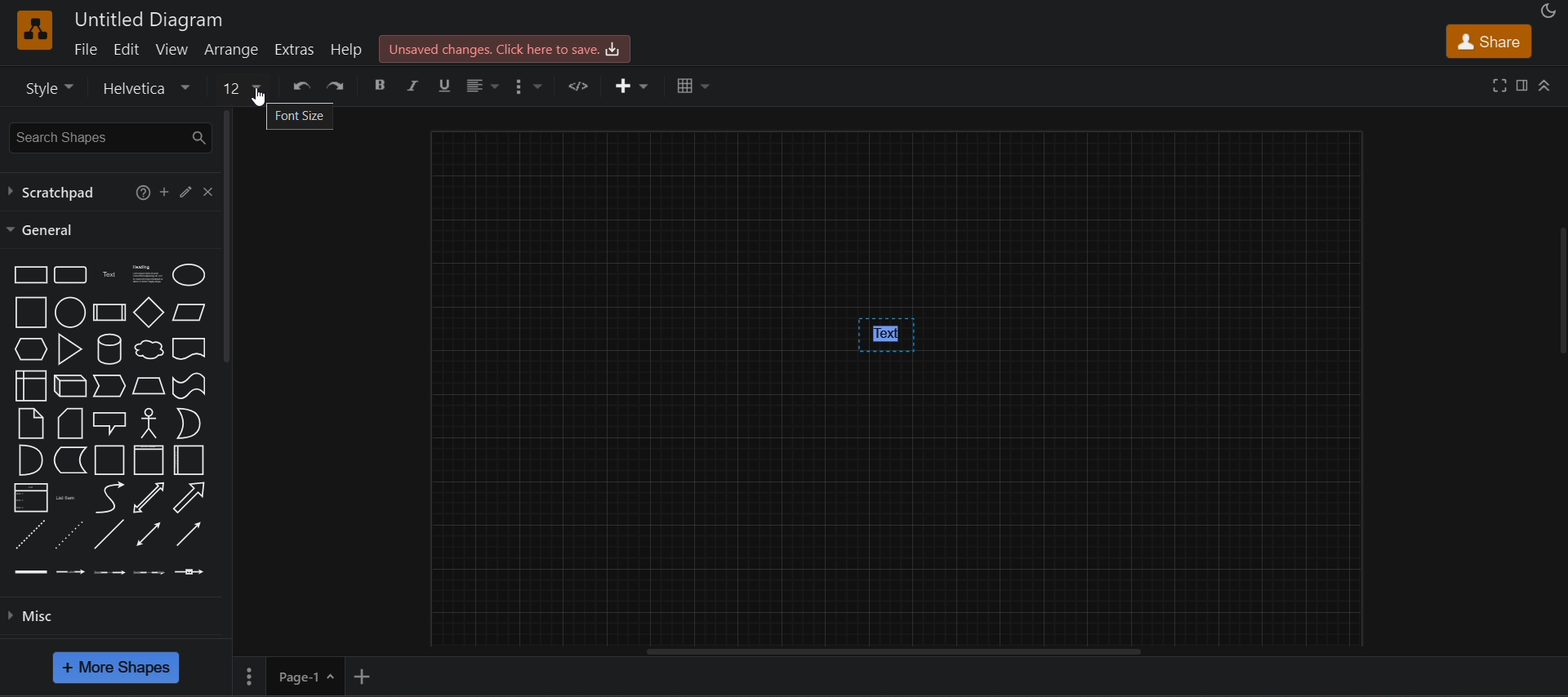 This screenshot has height=697, width=1568. I want to click on Ellipse, so click(189, 275).